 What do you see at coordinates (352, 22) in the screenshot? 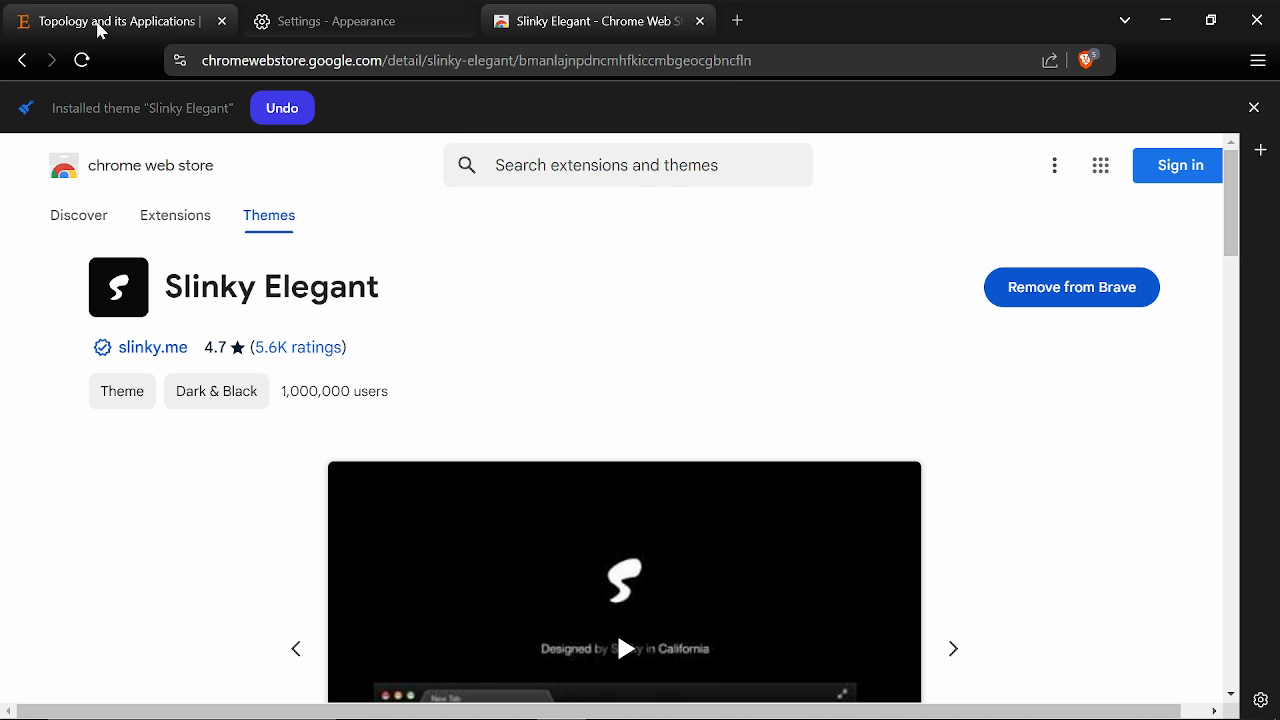
I see `Settings tab` at bounding box center [352, 22].